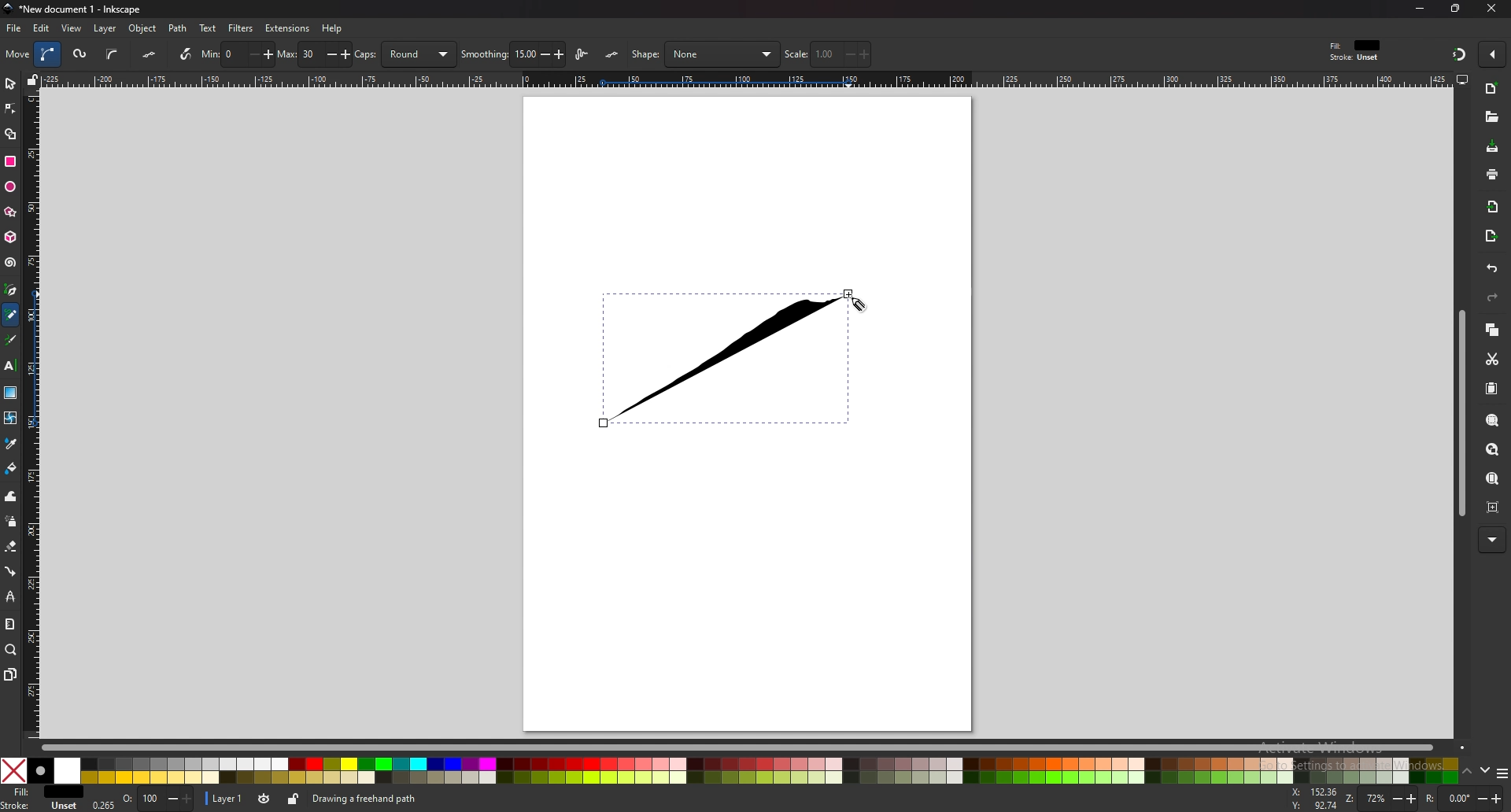 This screenshot has width=1511, height=812. What do you see at coordinates (10, 212) in the screenshot?
I see `stars and polygons` at bounding box center [10, 212].